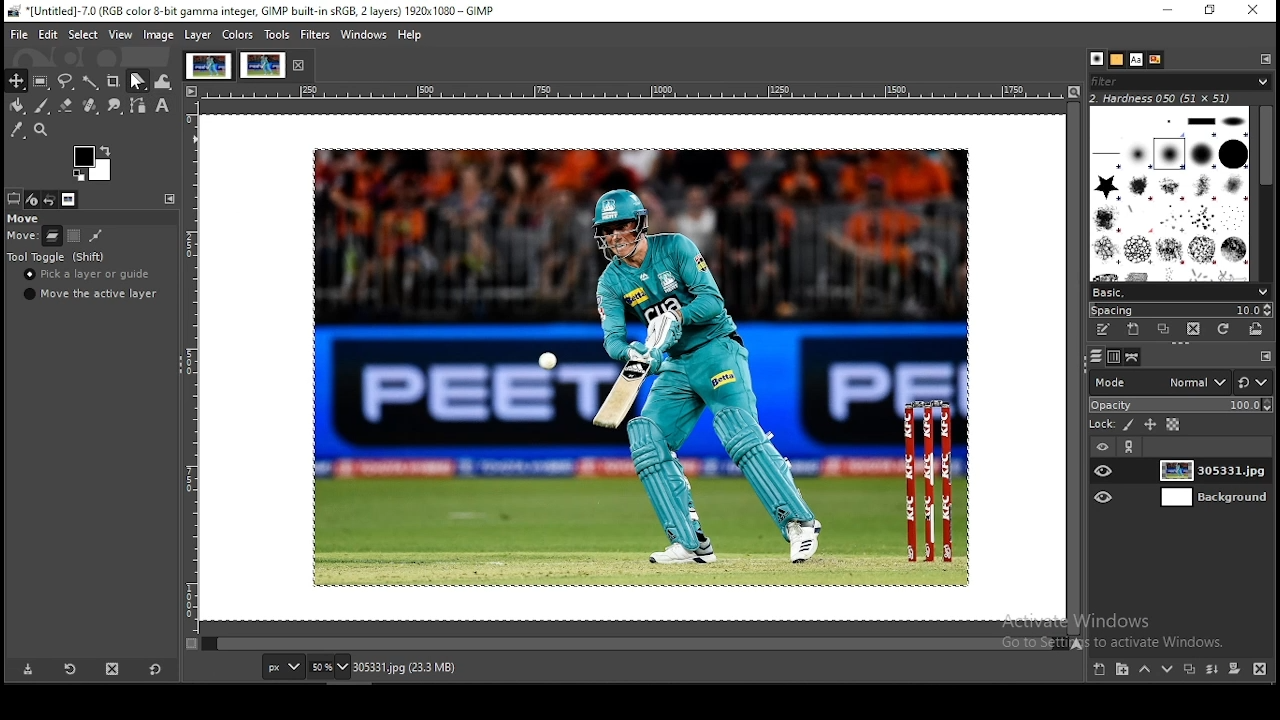 This screenshot has height=720, width=1280. Describe the element at coordinates (1261, 669) in the screenshot. I see `delete layer` at that location.